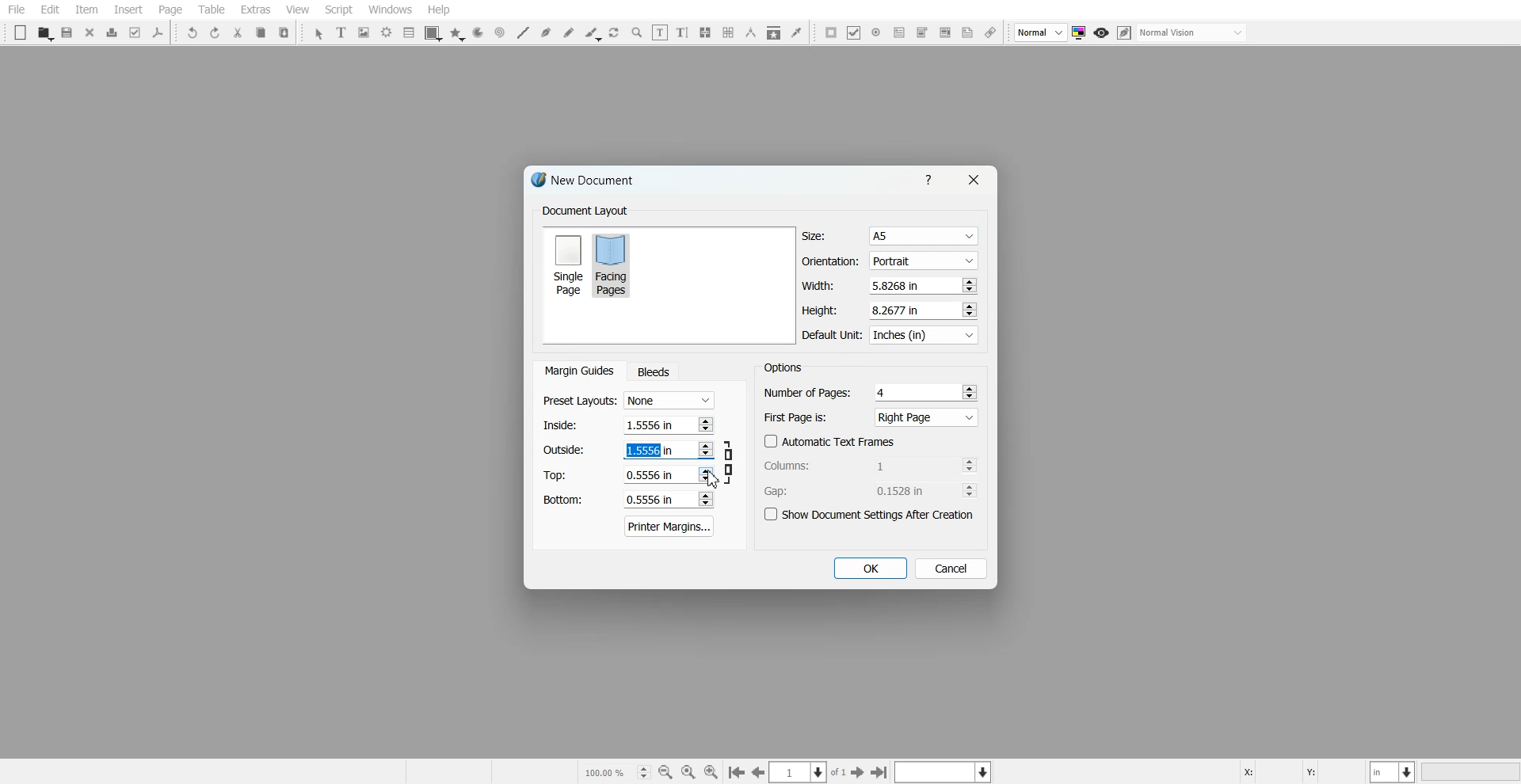 Image resolution: width=1521 pixels, height=784 pixels. Describe the element at coordinates (86, 10) in the screenshot. I see `Item` at that location.